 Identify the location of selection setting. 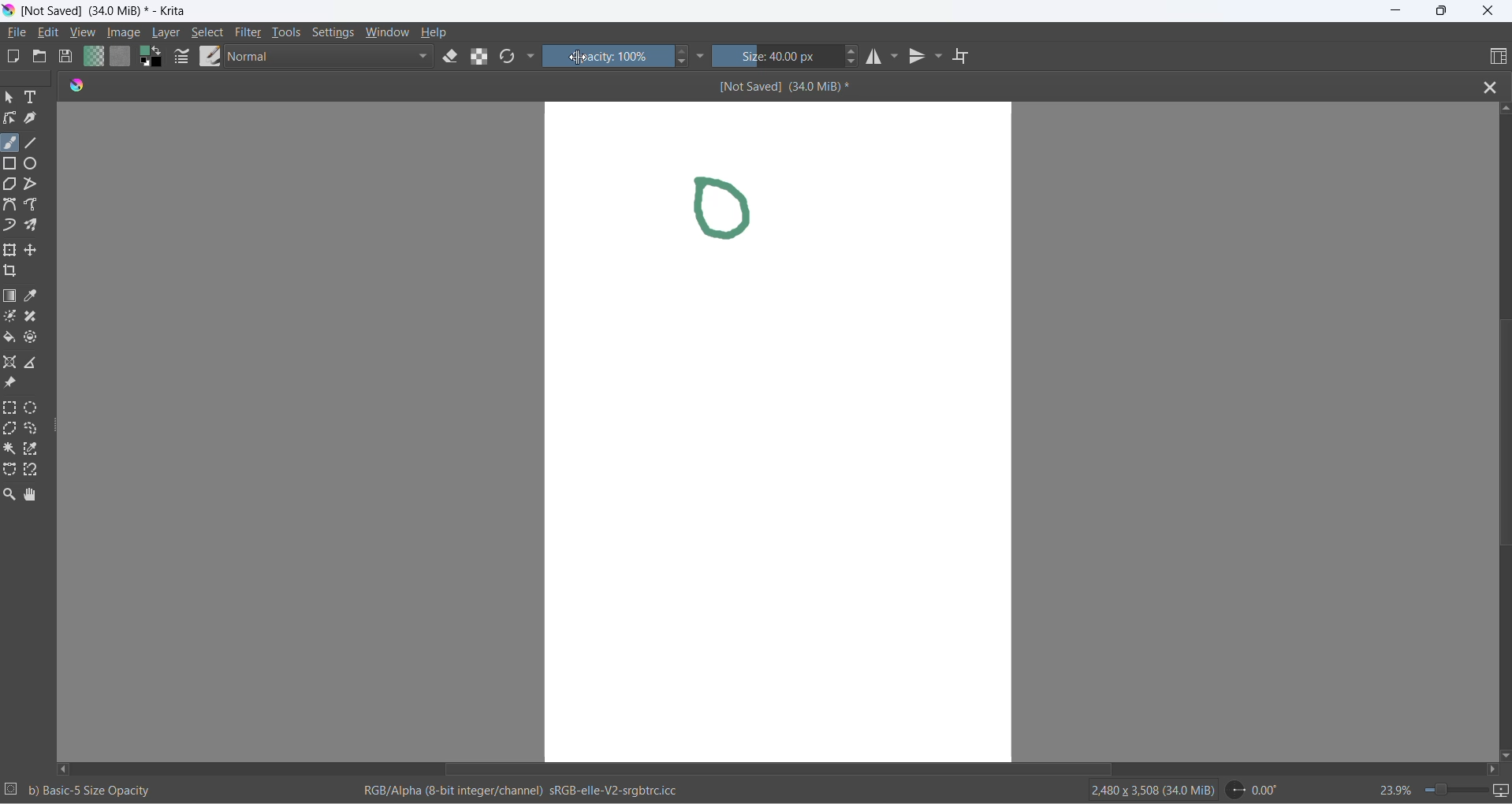
(12, 790).